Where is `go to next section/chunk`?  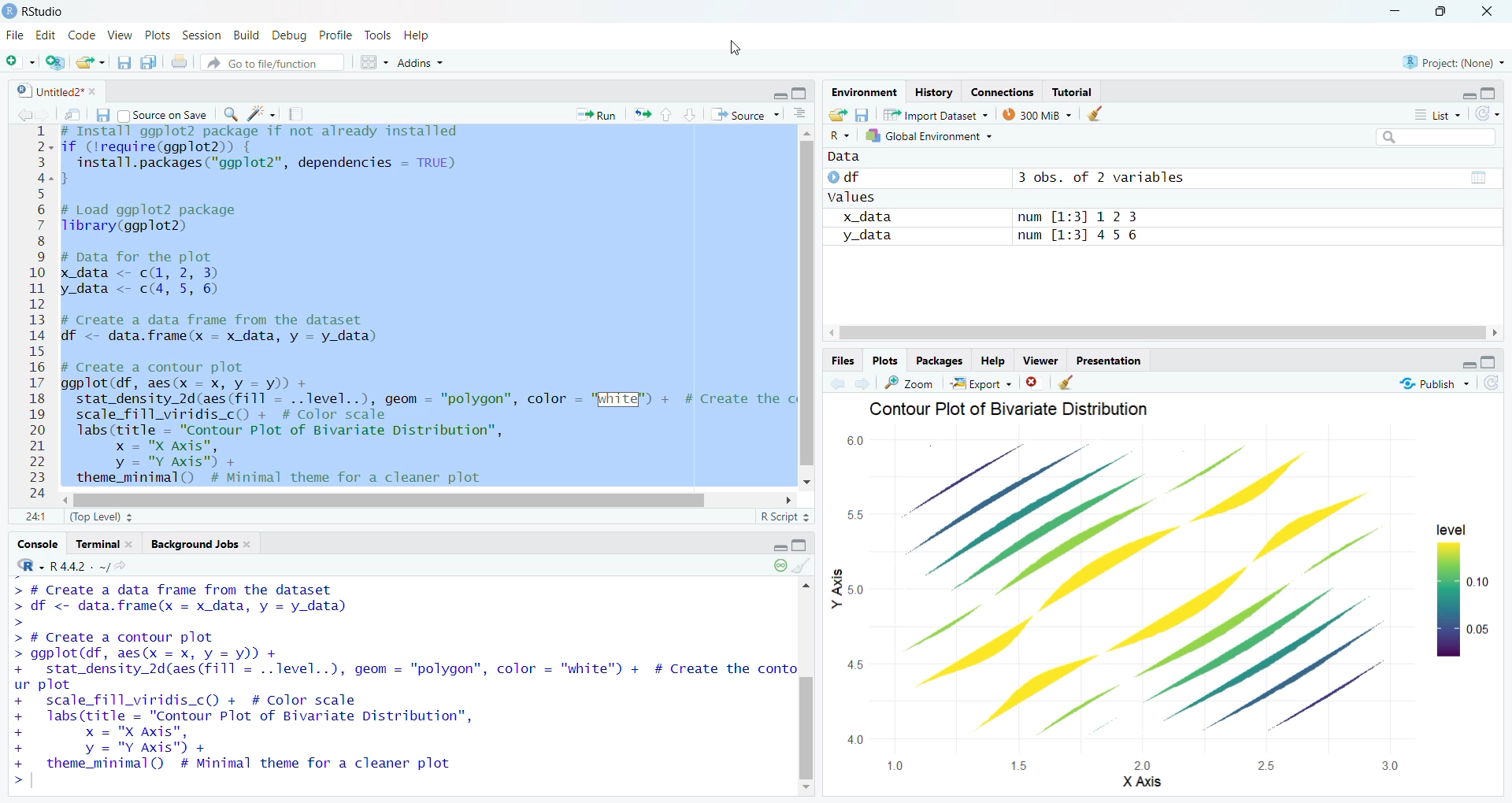 go to next section/chunk is located at coordinates (688, 115).